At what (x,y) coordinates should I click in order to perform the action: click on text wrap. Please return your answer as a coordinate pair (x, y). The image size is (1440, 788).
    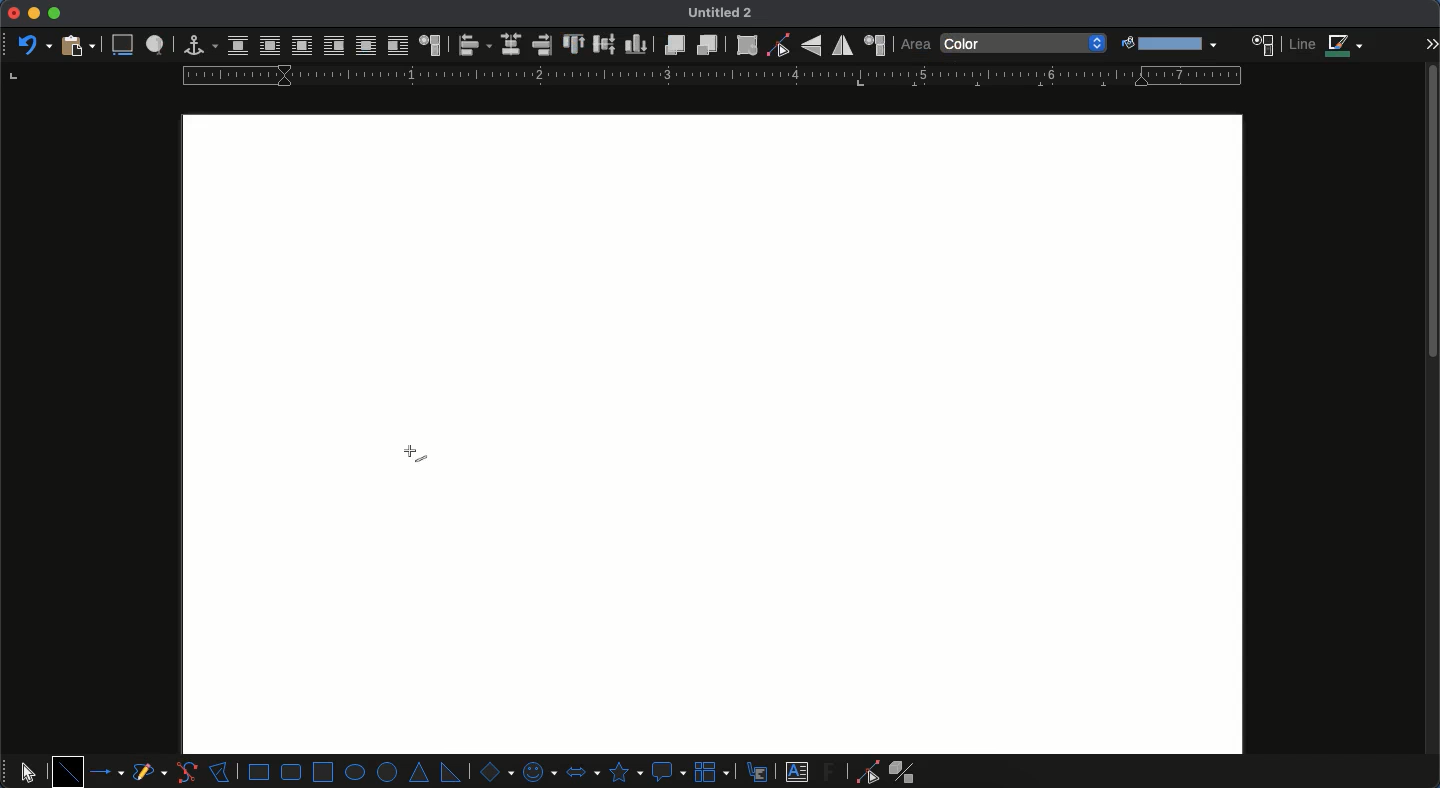
    Looking at the image, I should click on (429, 44).